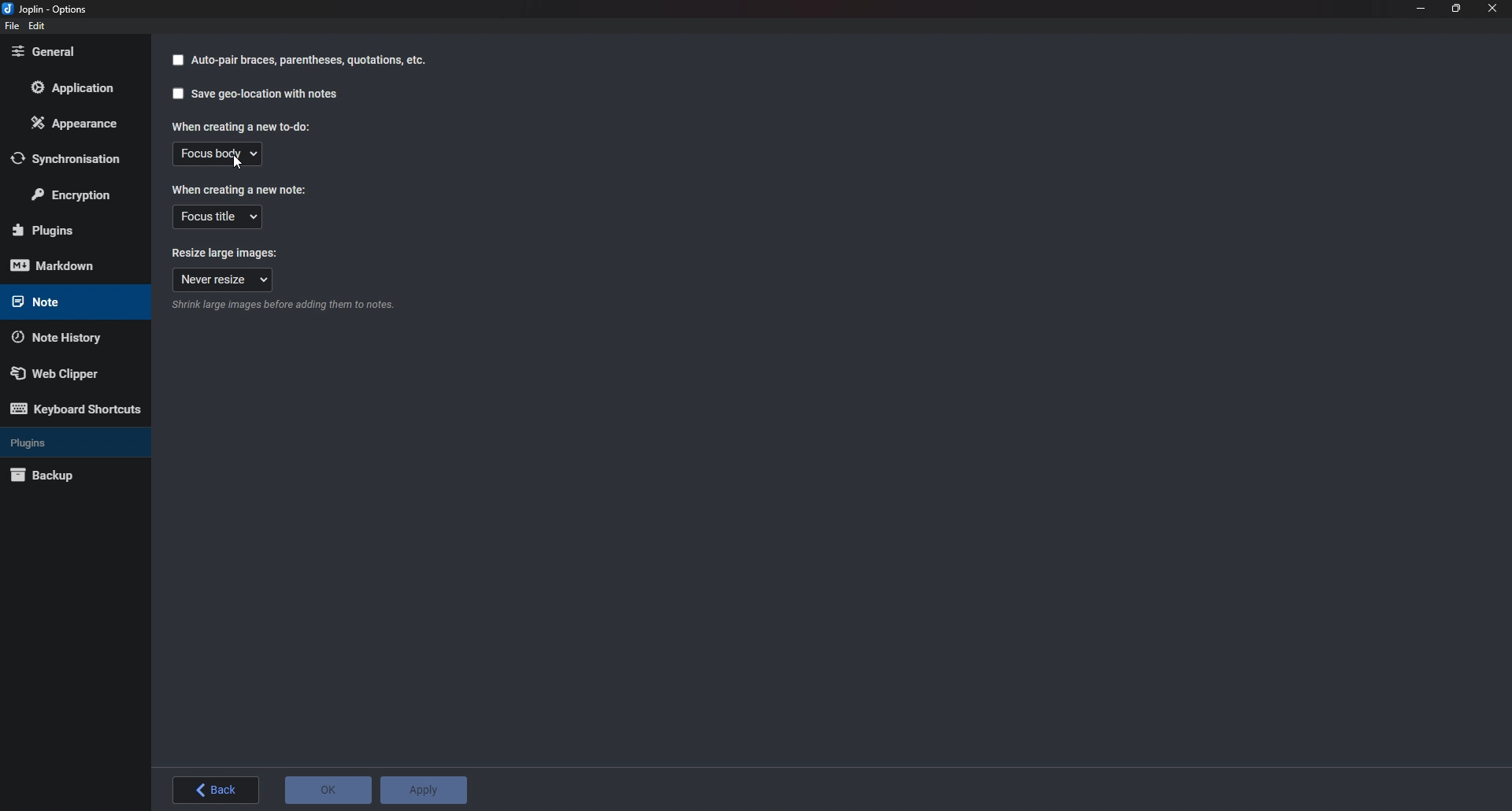 This screenshot has width=1512, height=811. What do you see at coordinates (266, 94) in the screenshot?
I see `Saves geo location with notes` at bounding box center [266, 94].